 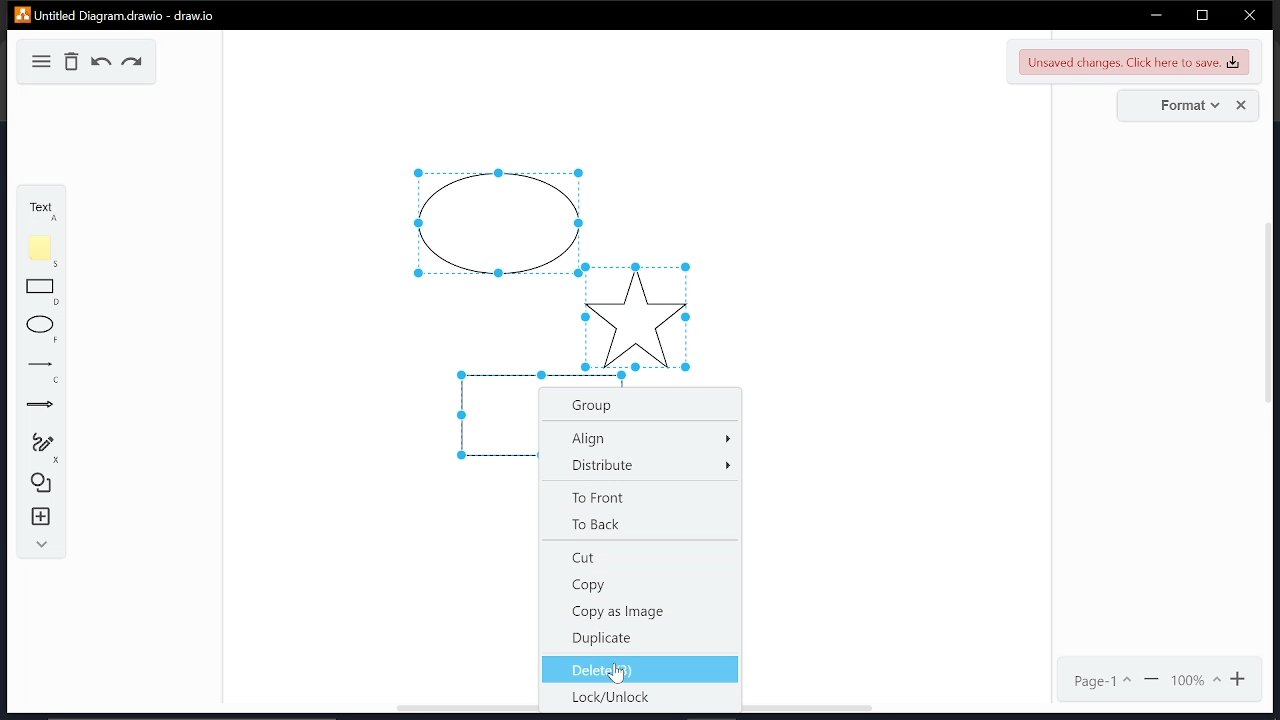 What do you see at coordinates (1153, 680) in the screenshot?
I see `zoom out` at bounding box center [1153, 680].